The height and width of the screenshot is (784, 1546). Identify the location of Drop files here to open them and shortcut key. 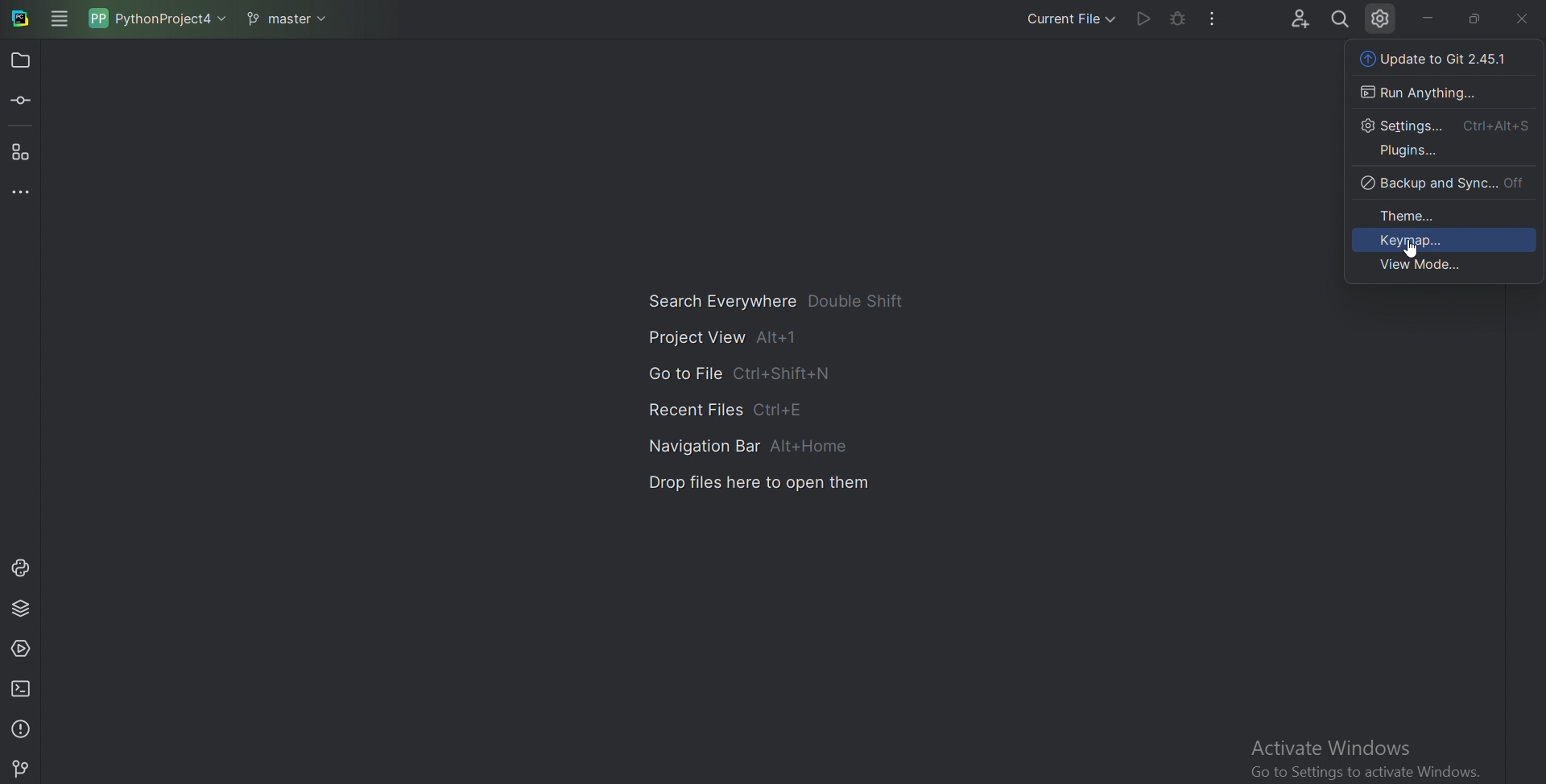
(759, 482).